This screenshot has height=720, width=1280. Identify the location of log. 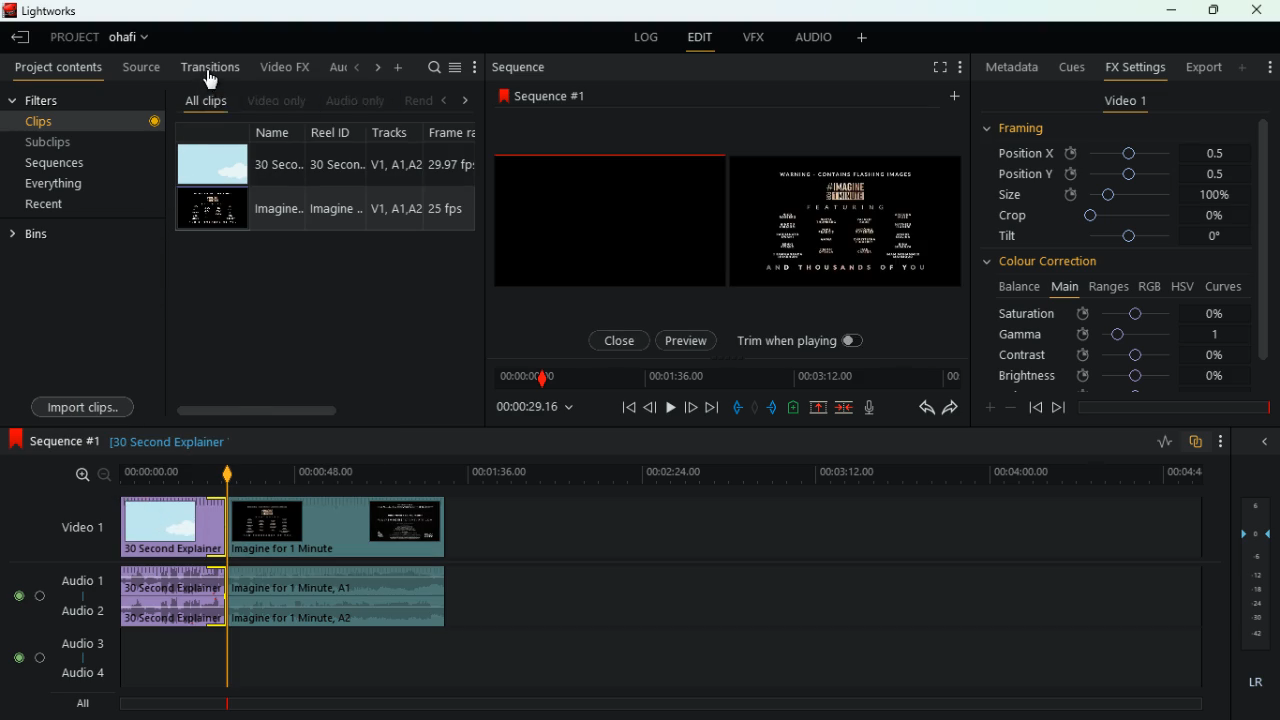
(646, 39).